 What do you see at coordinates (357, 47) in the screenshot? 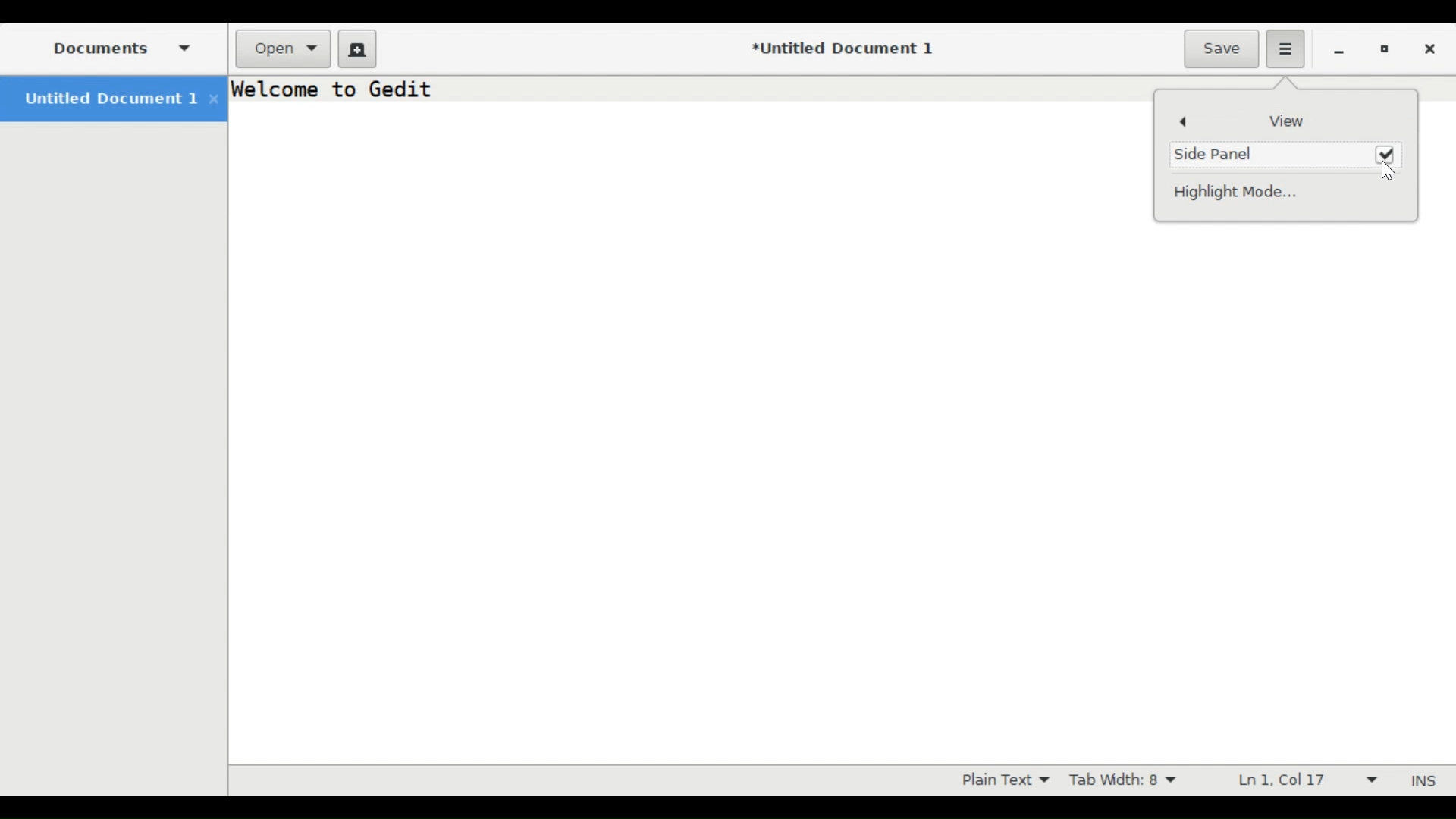
I see `Create a new document` at bounding box center [357, 47].